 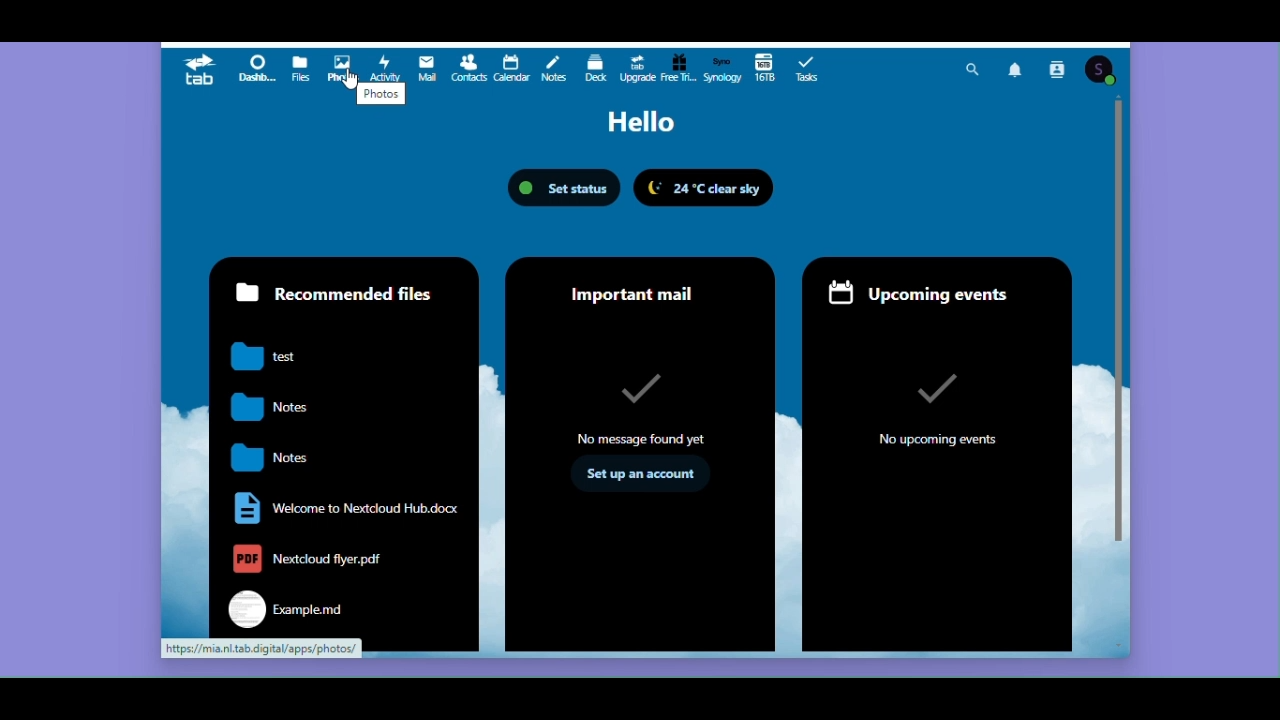 What do you see at coordinates (594, 66) in the screenshot?
I see `Deck` at bounding box center [594, 66].